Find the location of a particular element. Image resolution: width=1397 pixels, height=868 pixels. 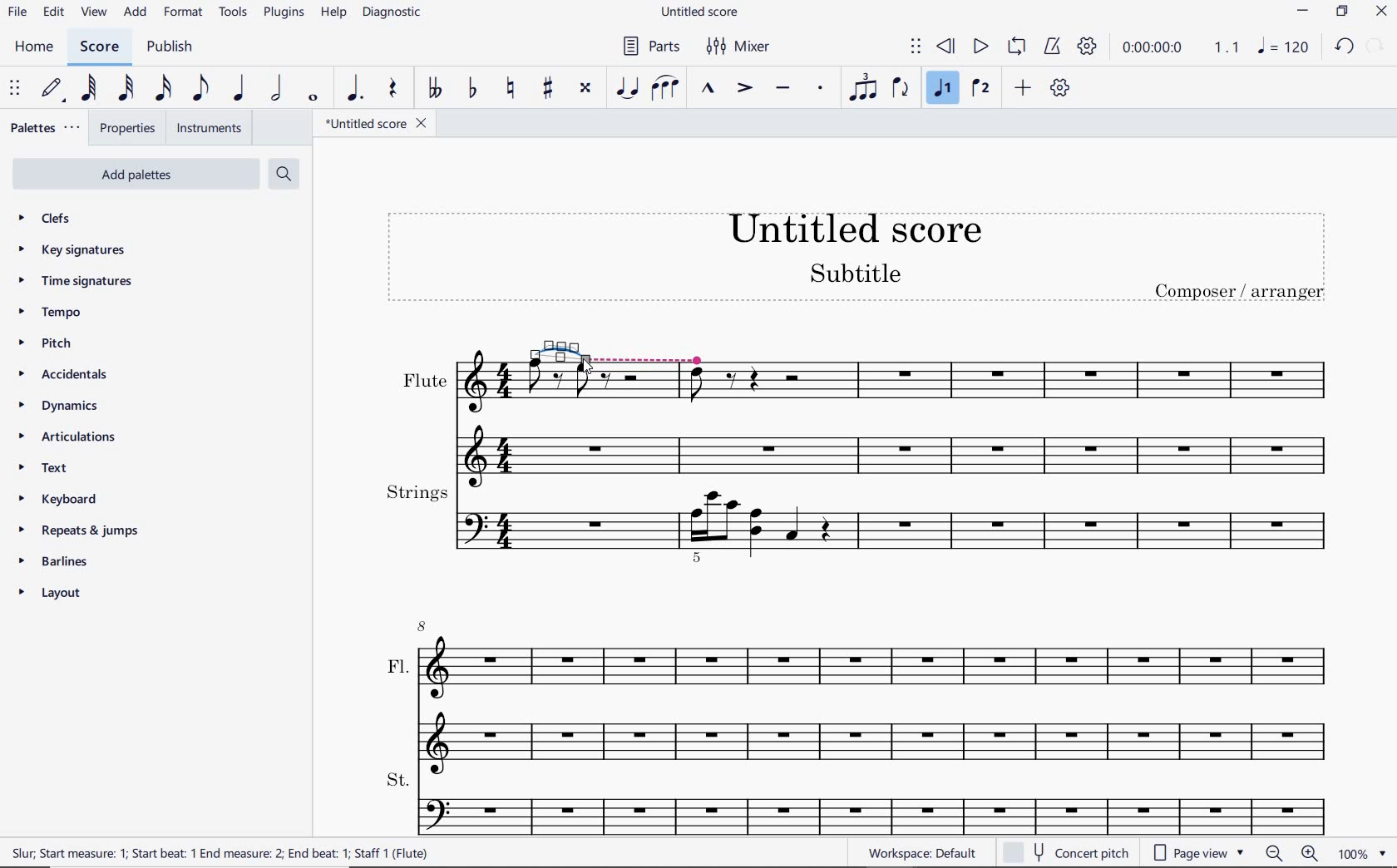

undo is located at coordinates (1344, 49).